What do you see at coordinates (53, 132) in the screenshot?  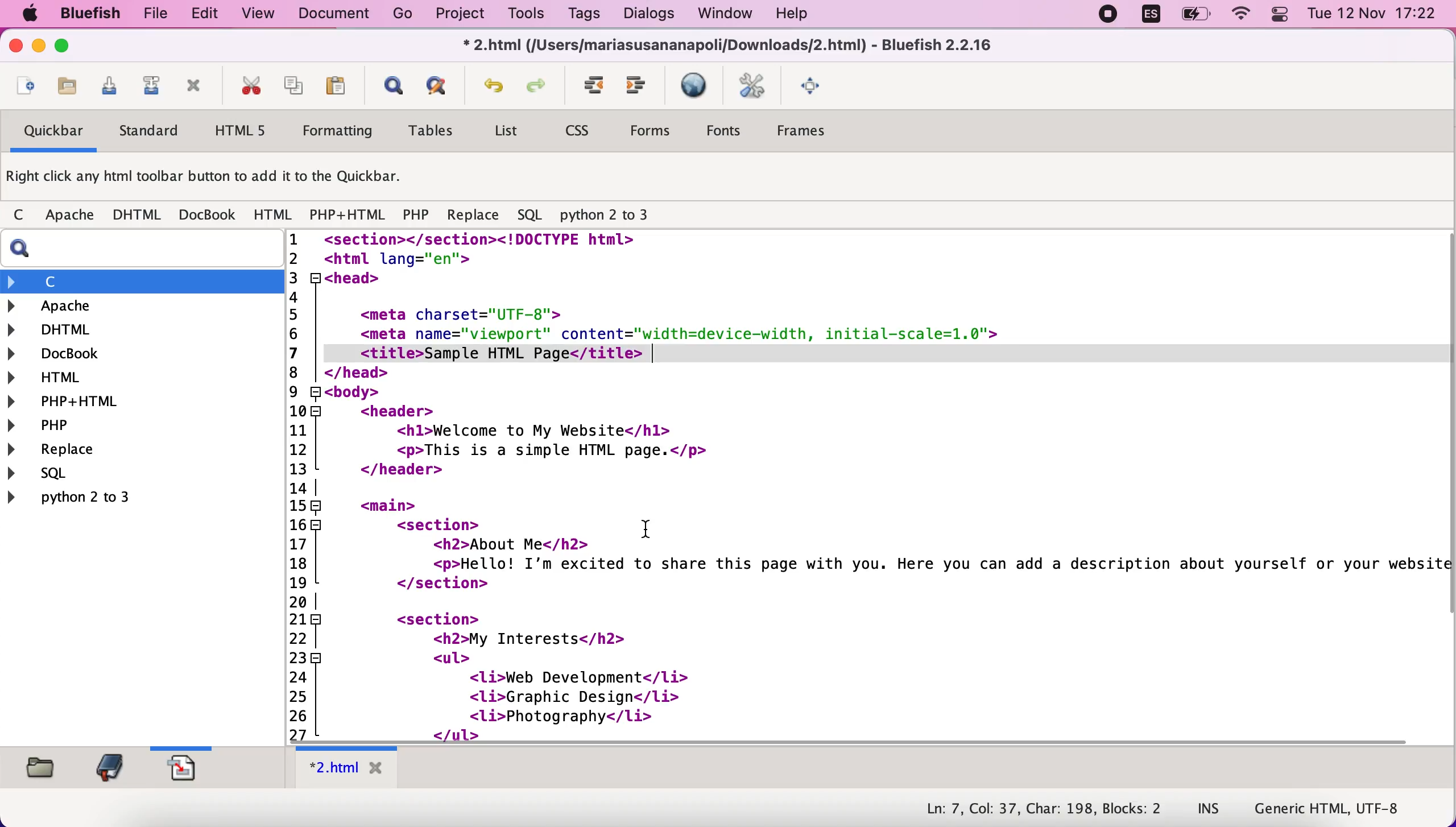 I see `quickbar` at bounding box center [53, 132].